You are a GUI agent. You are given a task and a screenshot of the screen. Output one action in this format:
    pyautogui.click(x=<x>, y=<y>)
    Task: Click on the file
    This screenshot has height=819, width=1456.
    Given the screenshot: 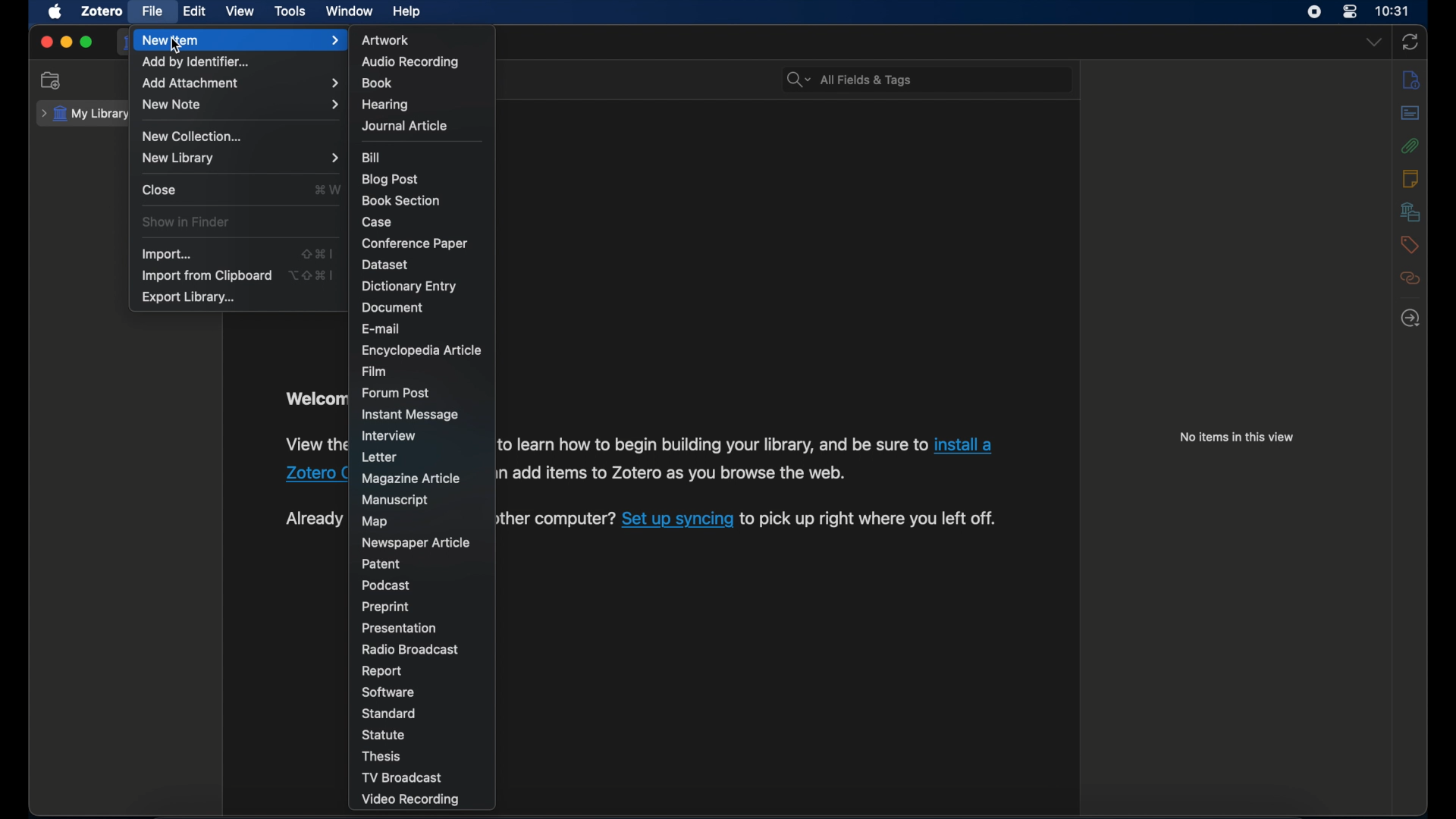 What is the action you would take?
    pyautogui.click(x=152, y=11)
    